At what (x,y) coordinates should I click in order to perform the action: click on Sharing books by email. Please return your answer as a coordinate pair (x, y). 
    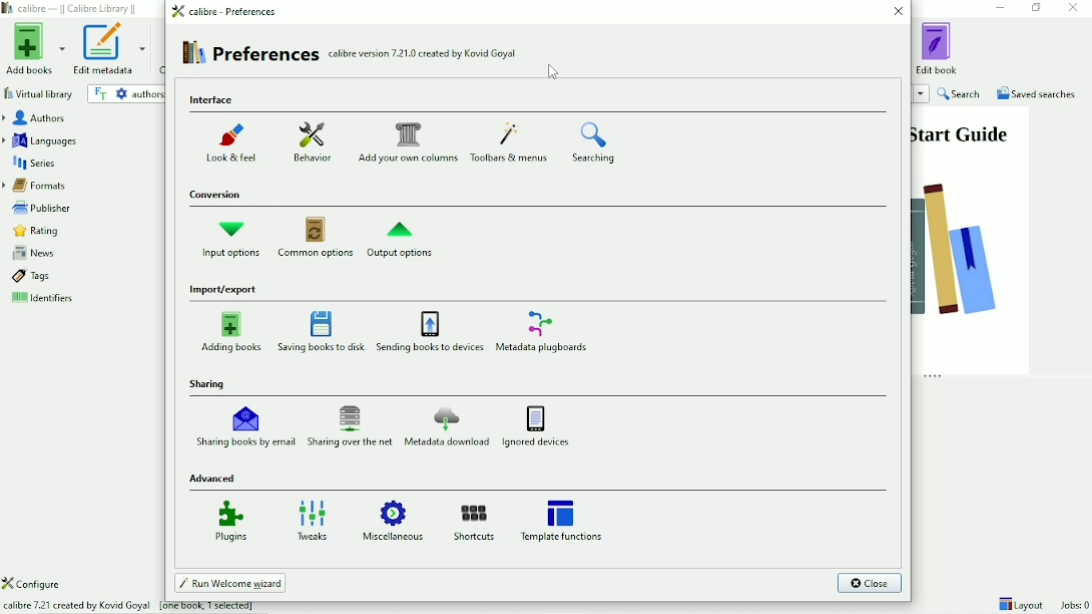
    Looking at the image, I should click on (242, 427).